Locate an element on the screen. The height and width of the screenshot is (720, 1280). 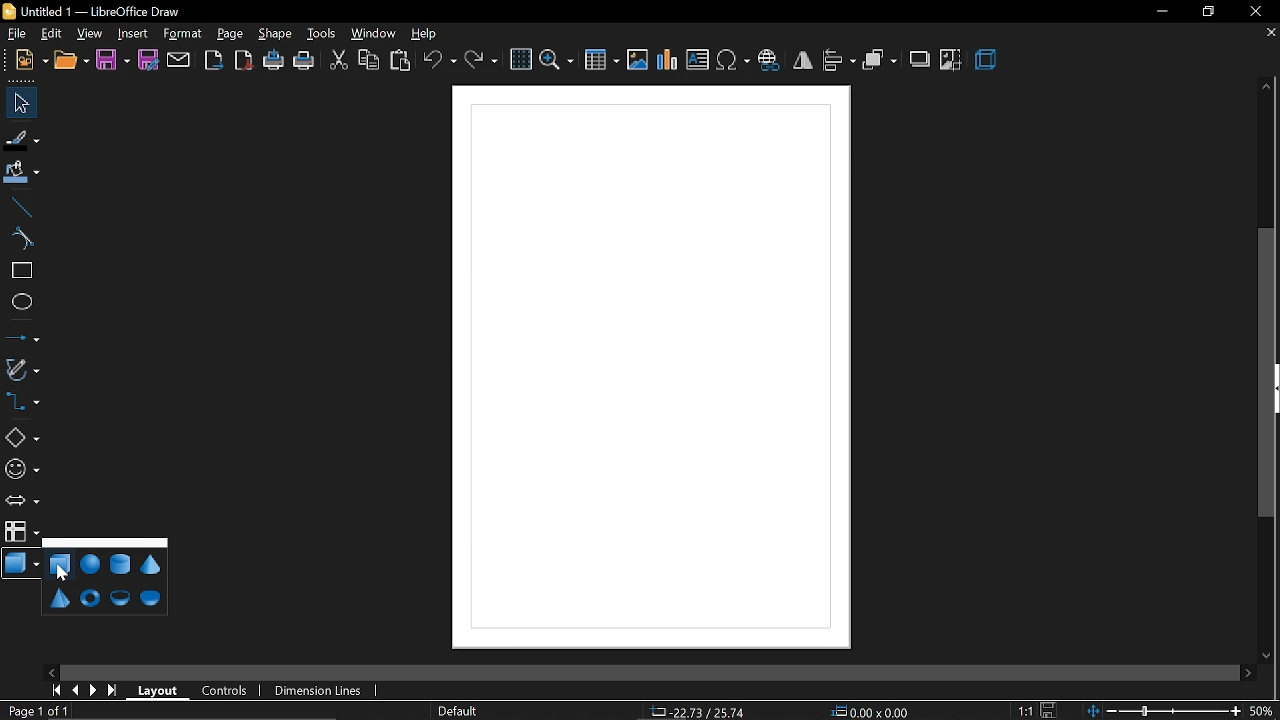
dimension lines is located at coordinates (319, 691).